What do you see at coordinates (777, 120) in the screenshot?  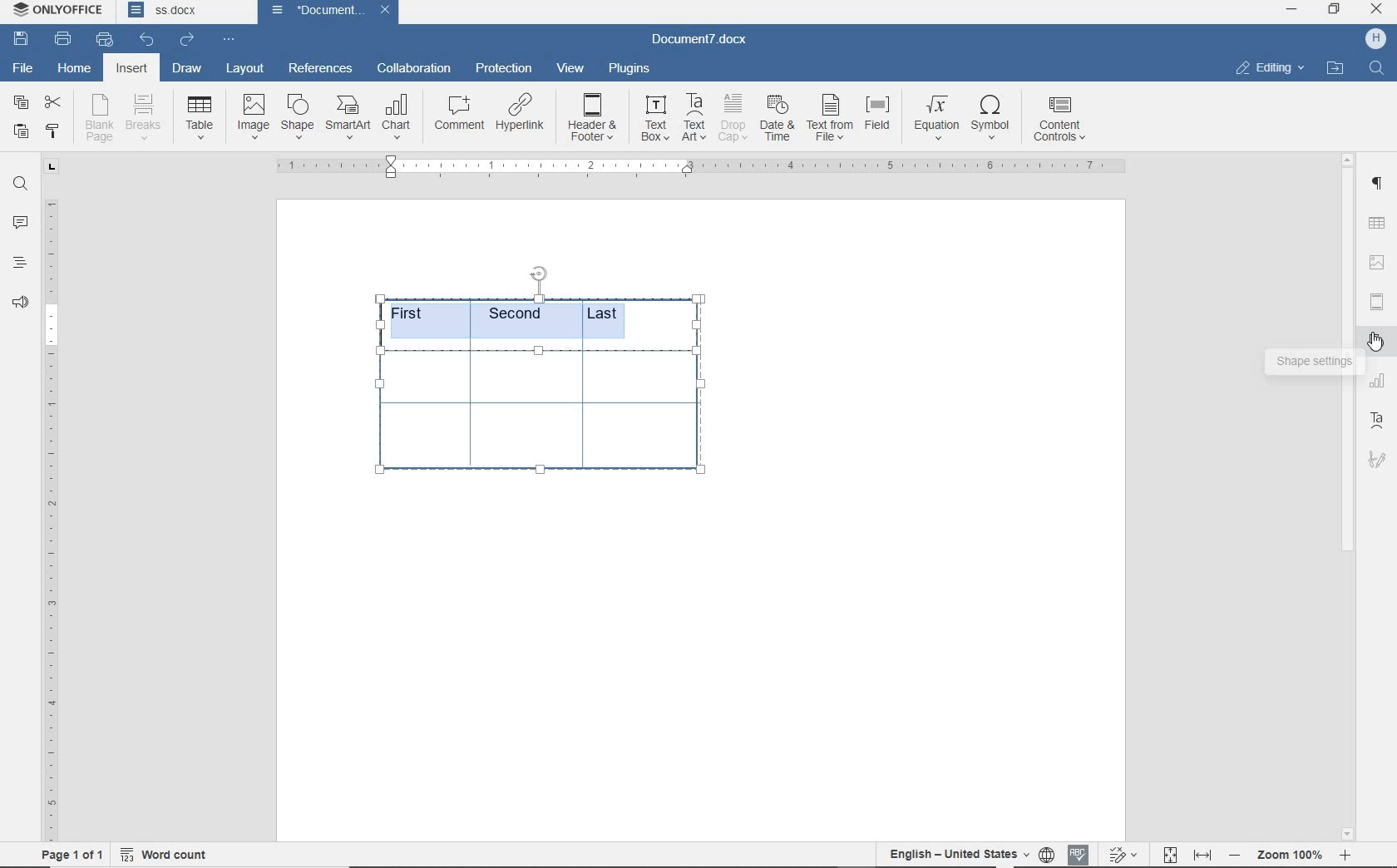 I see `date & time` at bounding box center [777, 120].